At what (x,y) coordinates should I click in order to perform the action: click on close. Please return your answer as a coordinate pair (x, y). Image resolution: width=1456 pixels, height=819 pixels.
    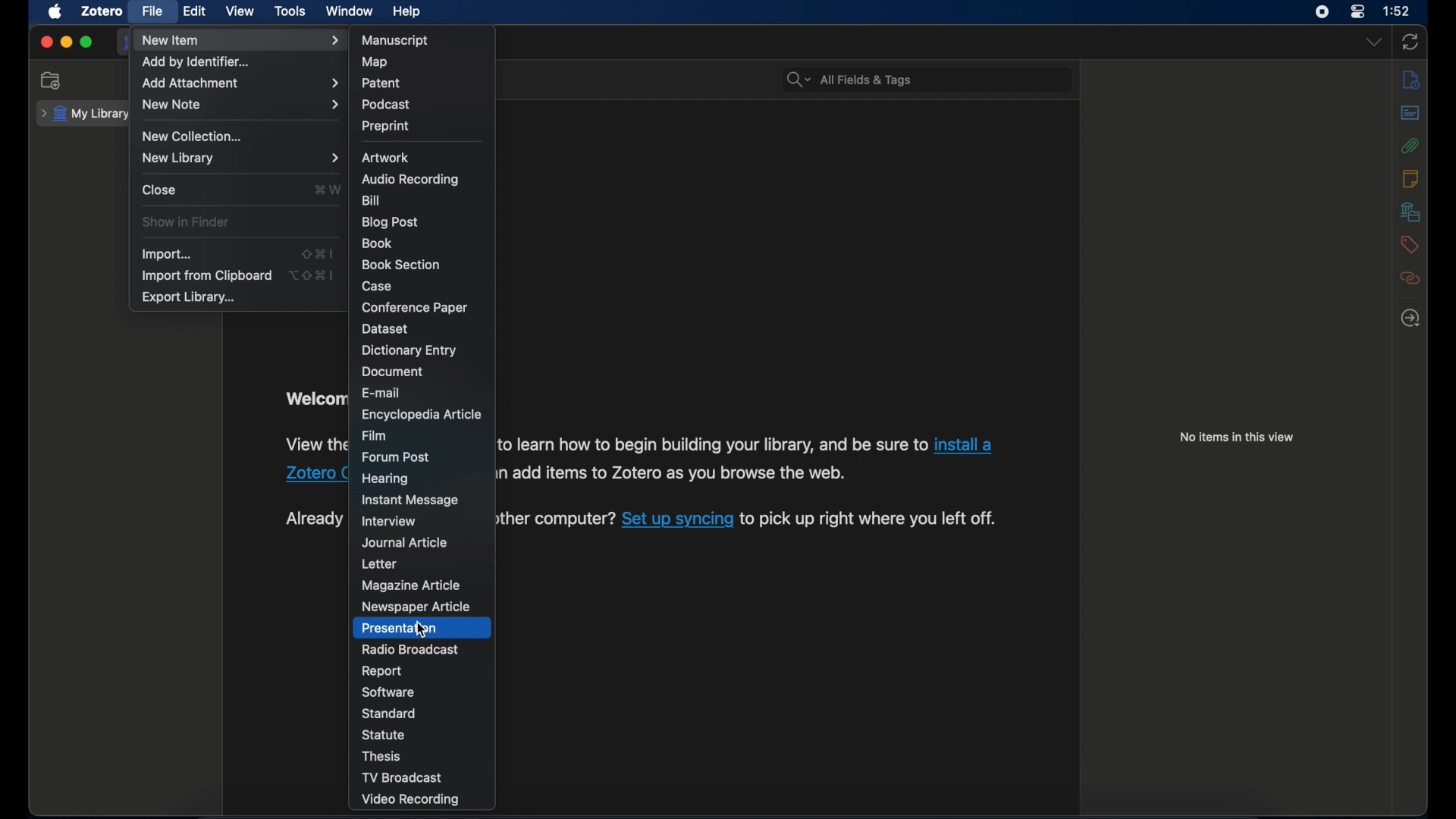
    Looking at the image, I should click on (159, 190).